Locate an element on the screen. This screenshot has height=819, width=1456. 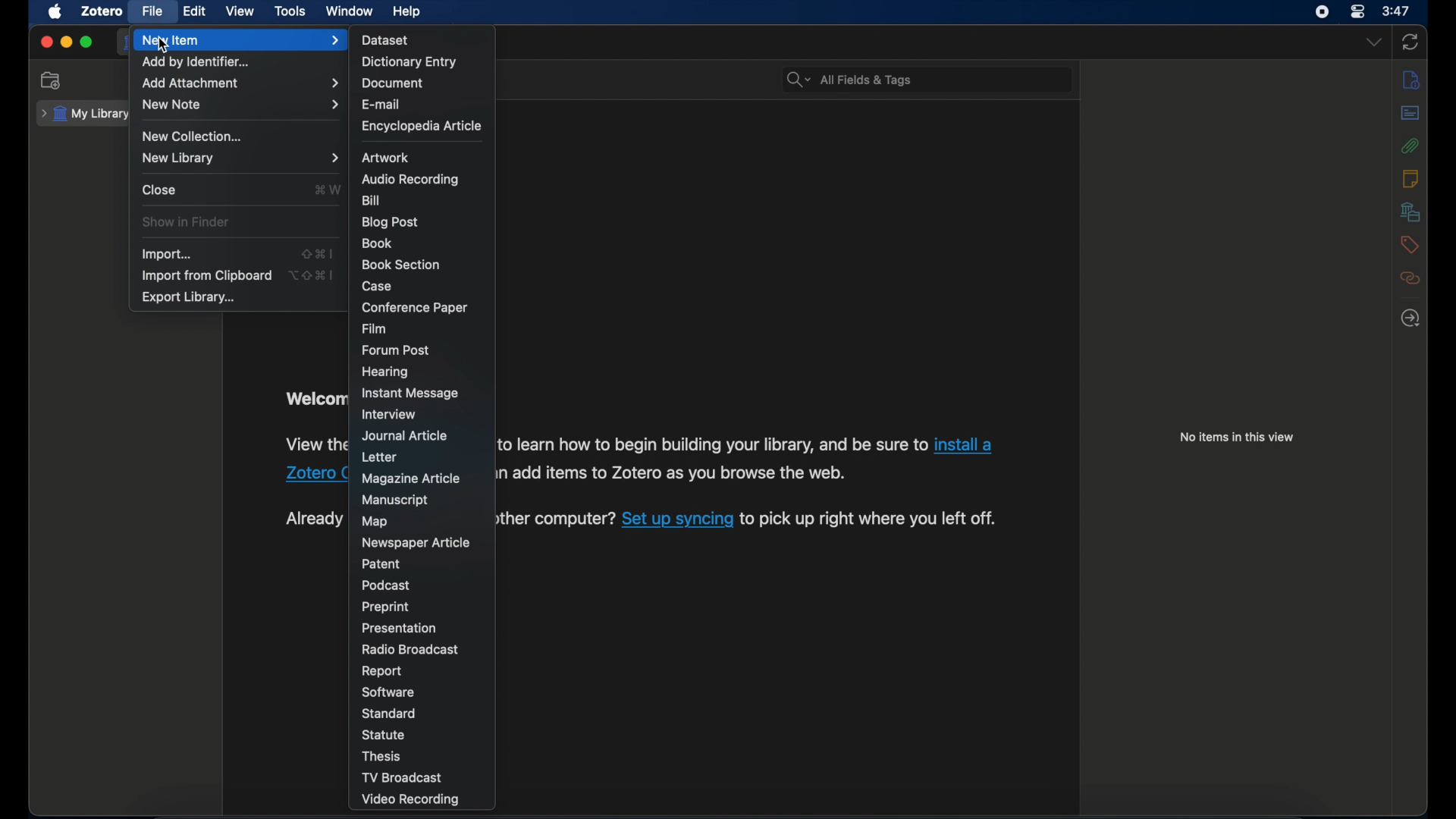
zotero is located at coordinates (103, 11).